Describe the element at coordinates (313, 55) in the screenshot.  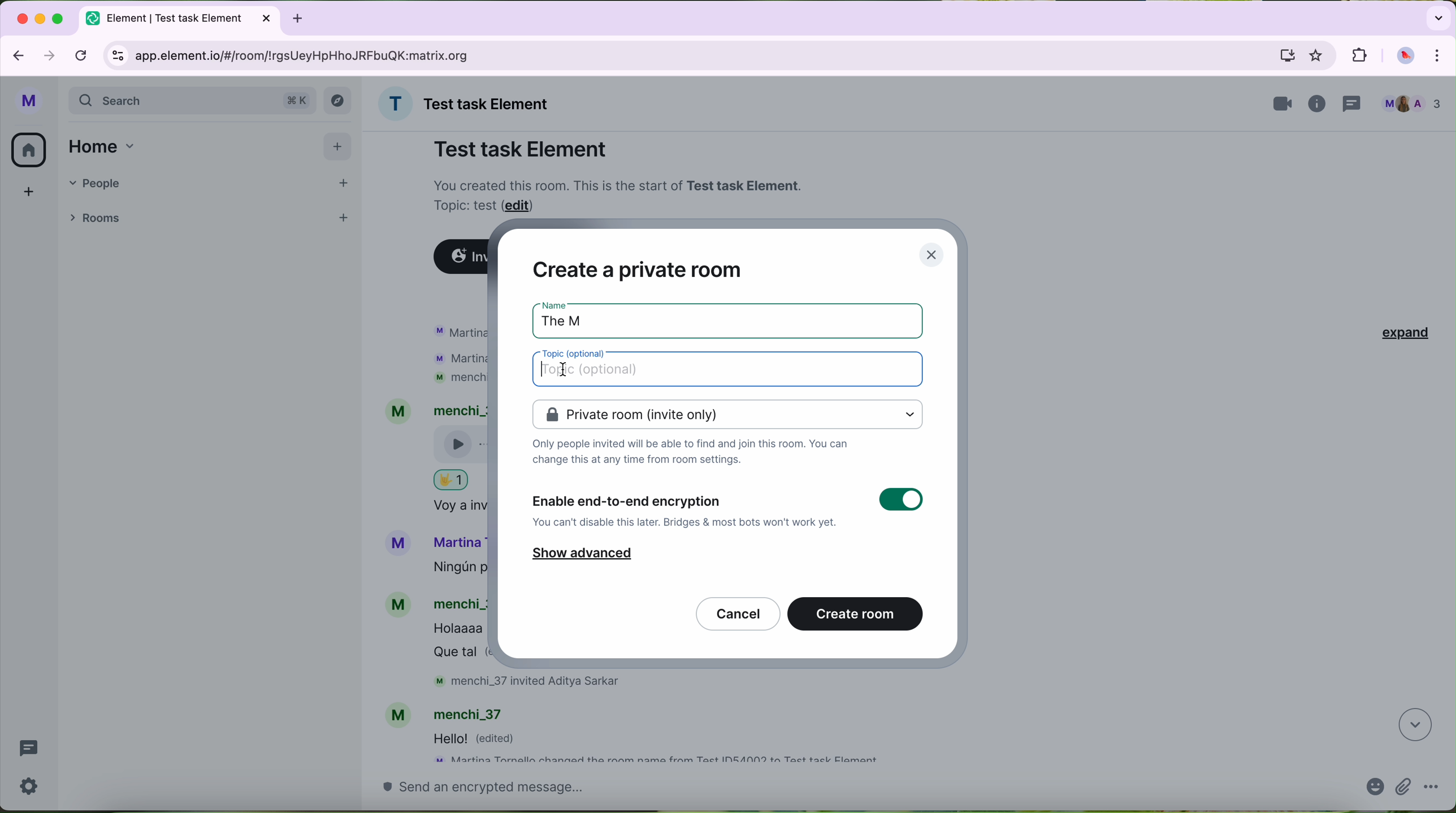
I see `URL` at that location.